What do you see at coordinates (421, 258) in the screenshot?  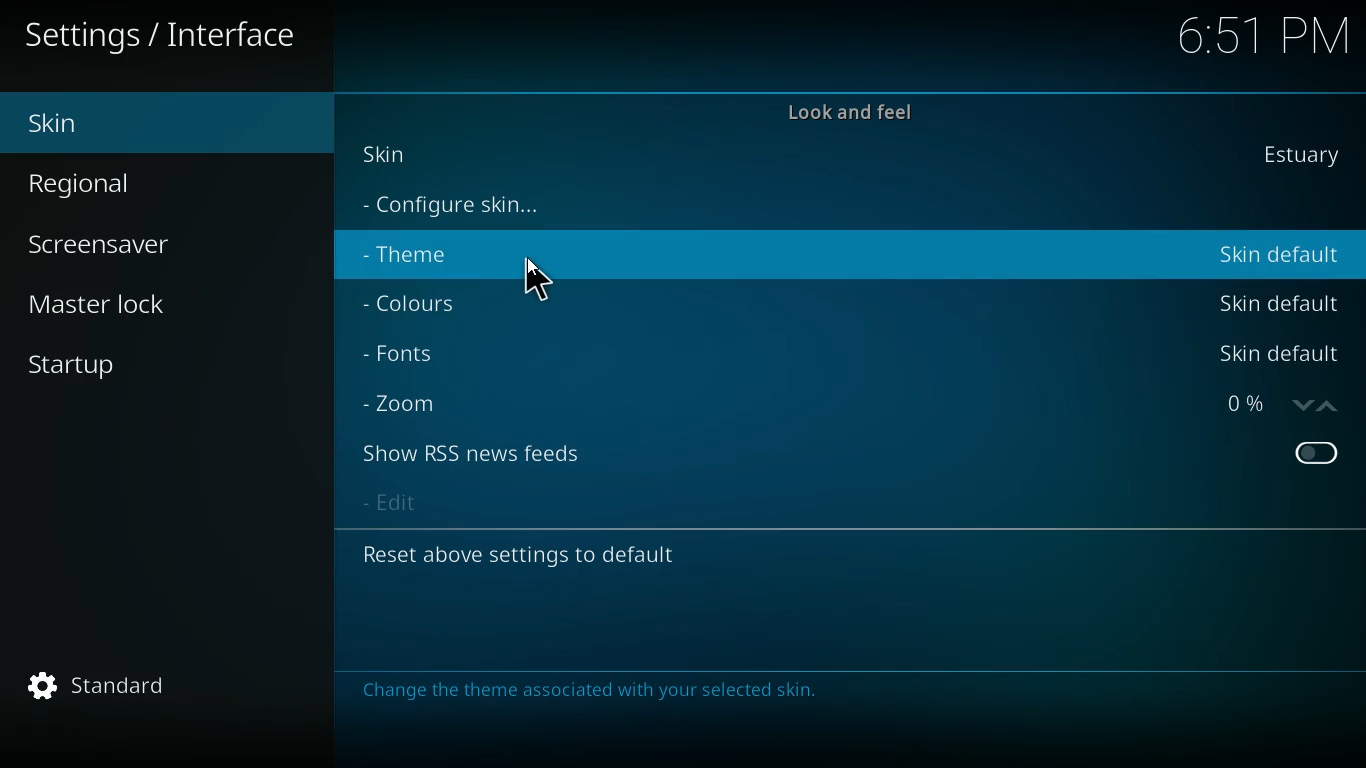 I see `theme` at bounding box center [421, 258].